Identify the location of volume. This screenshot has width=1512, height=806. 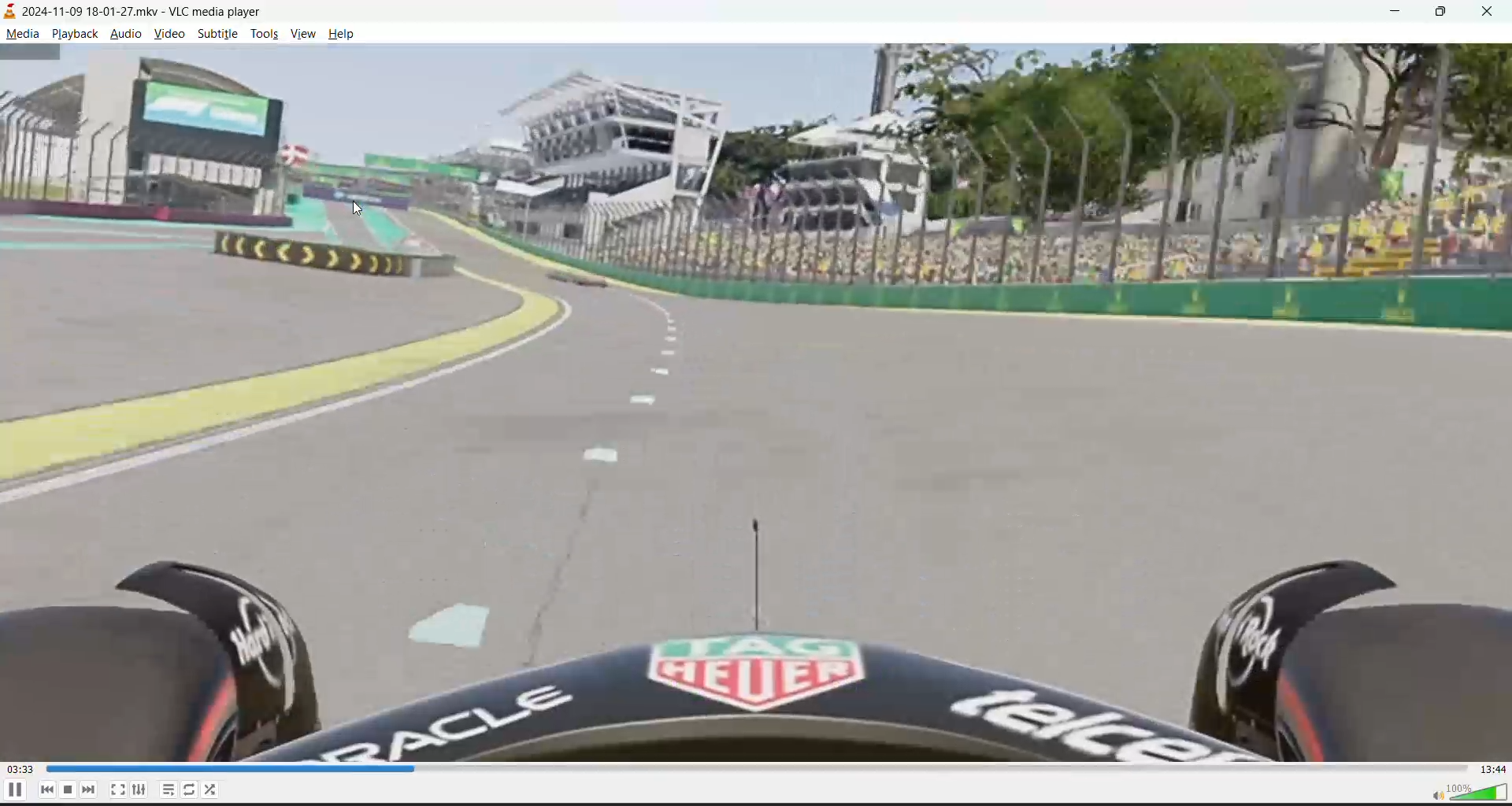
(1469, 791).